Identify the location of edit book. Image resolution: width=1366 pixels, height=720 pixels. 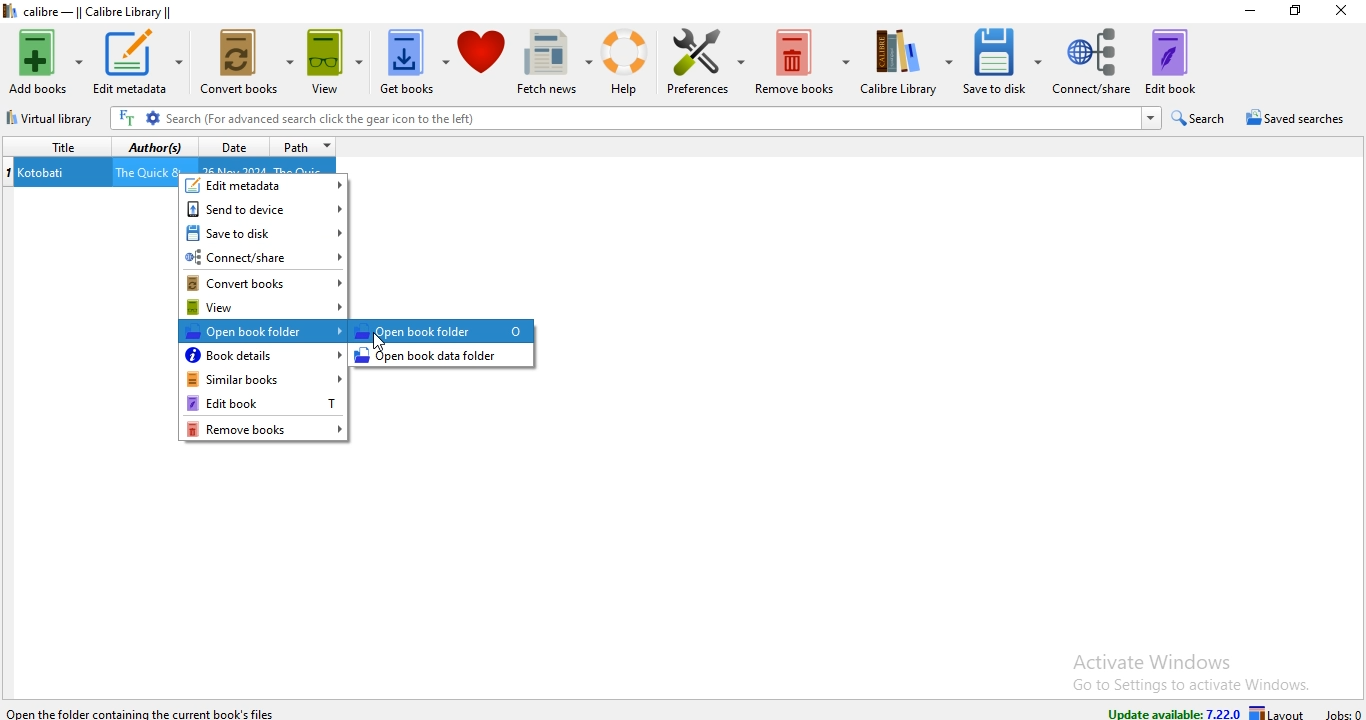
(1171, 61).